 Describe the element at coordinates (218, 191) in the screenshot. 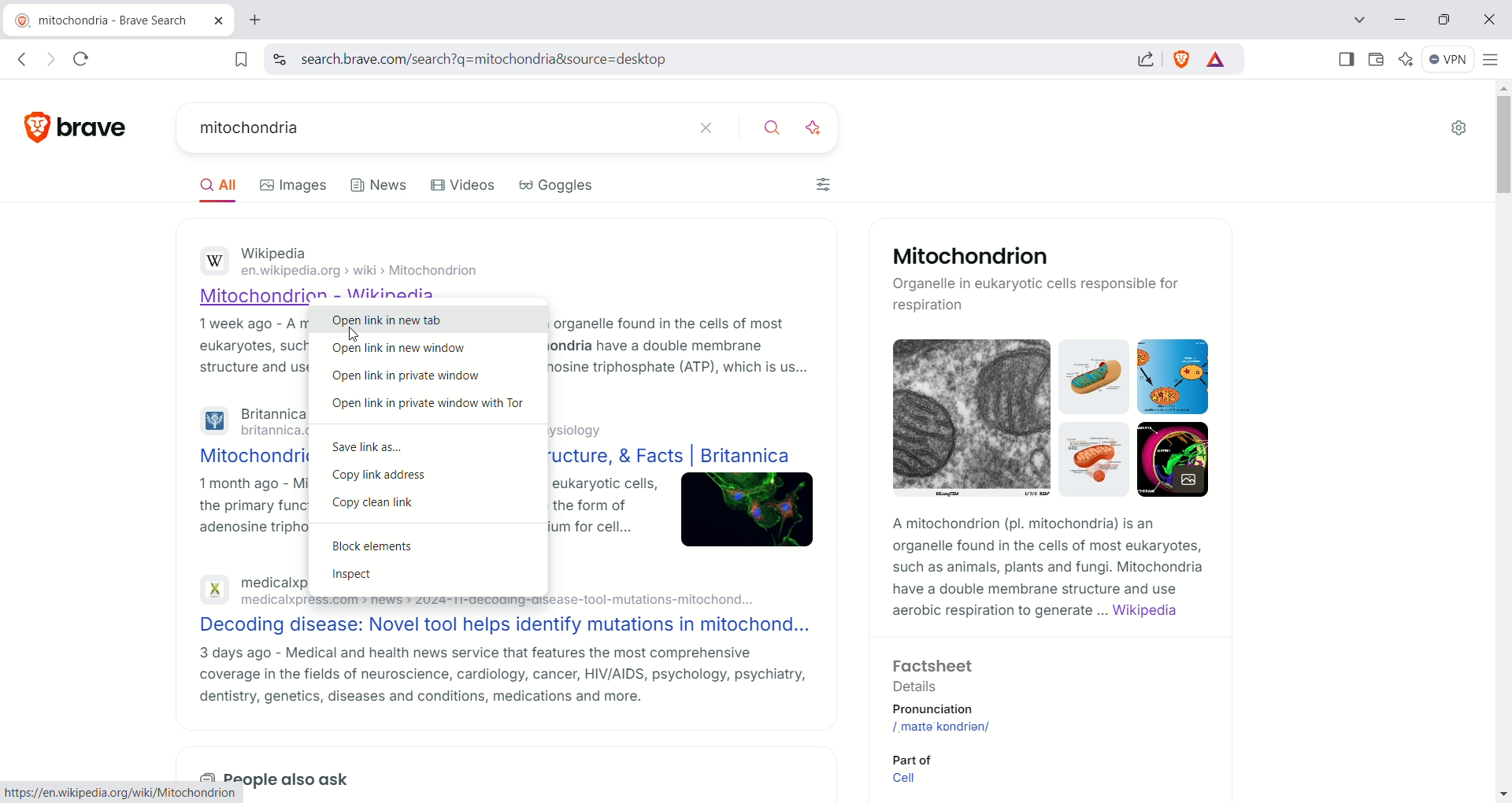

I see `all` at that location.